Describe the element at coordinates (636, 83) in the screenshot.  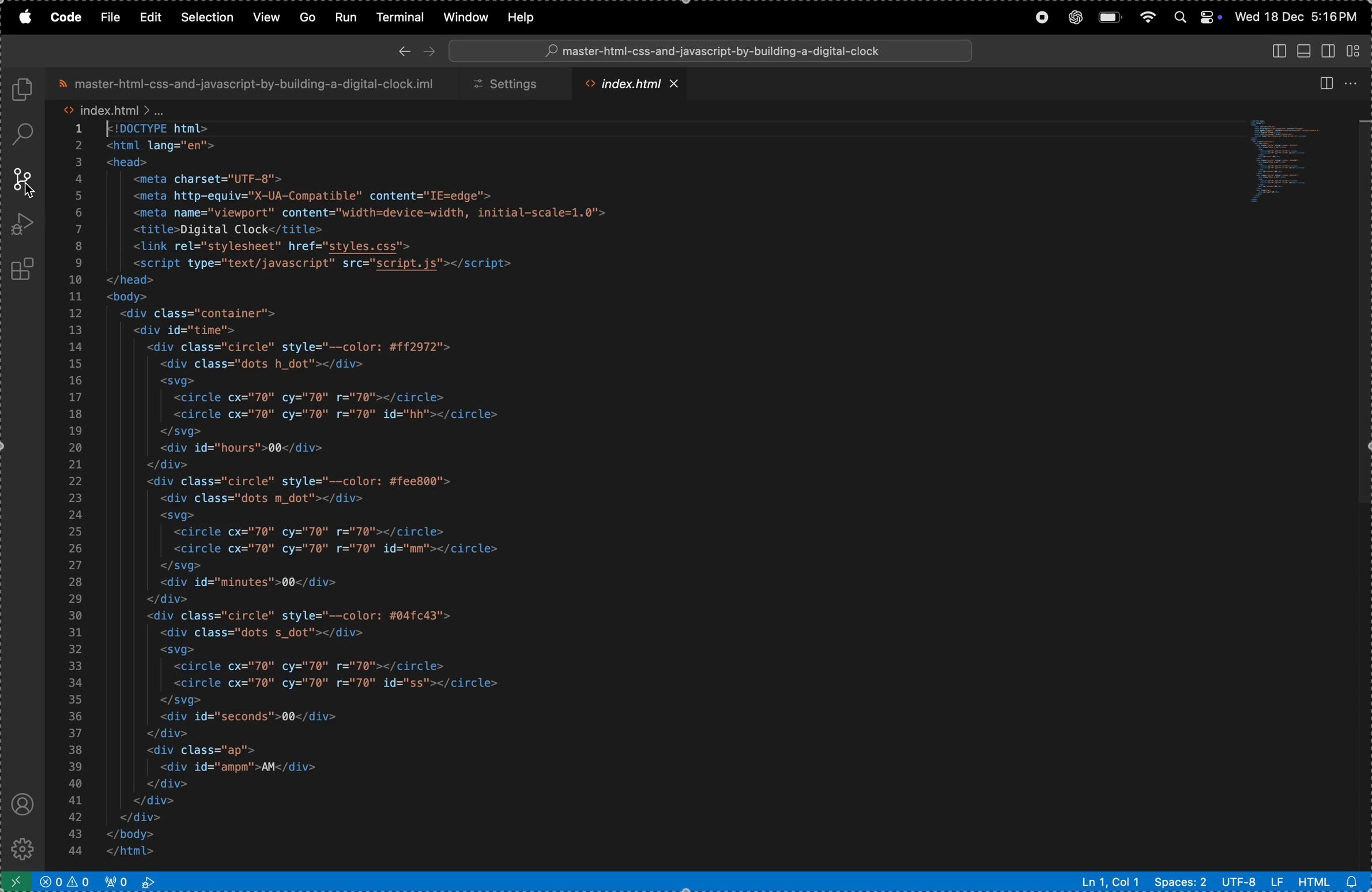
I see `index .html file` at that location.